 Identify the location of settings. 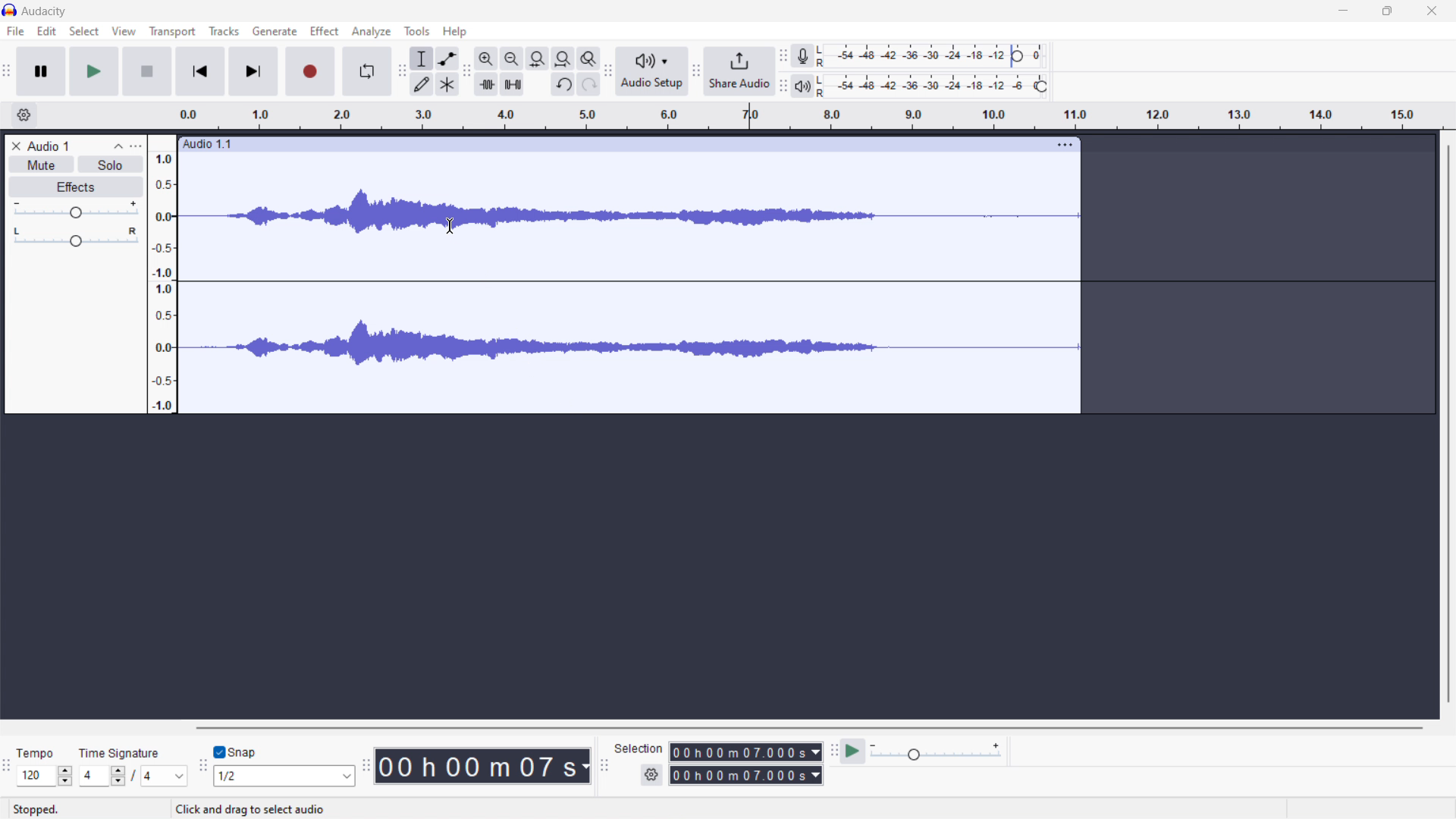
(651, 776).